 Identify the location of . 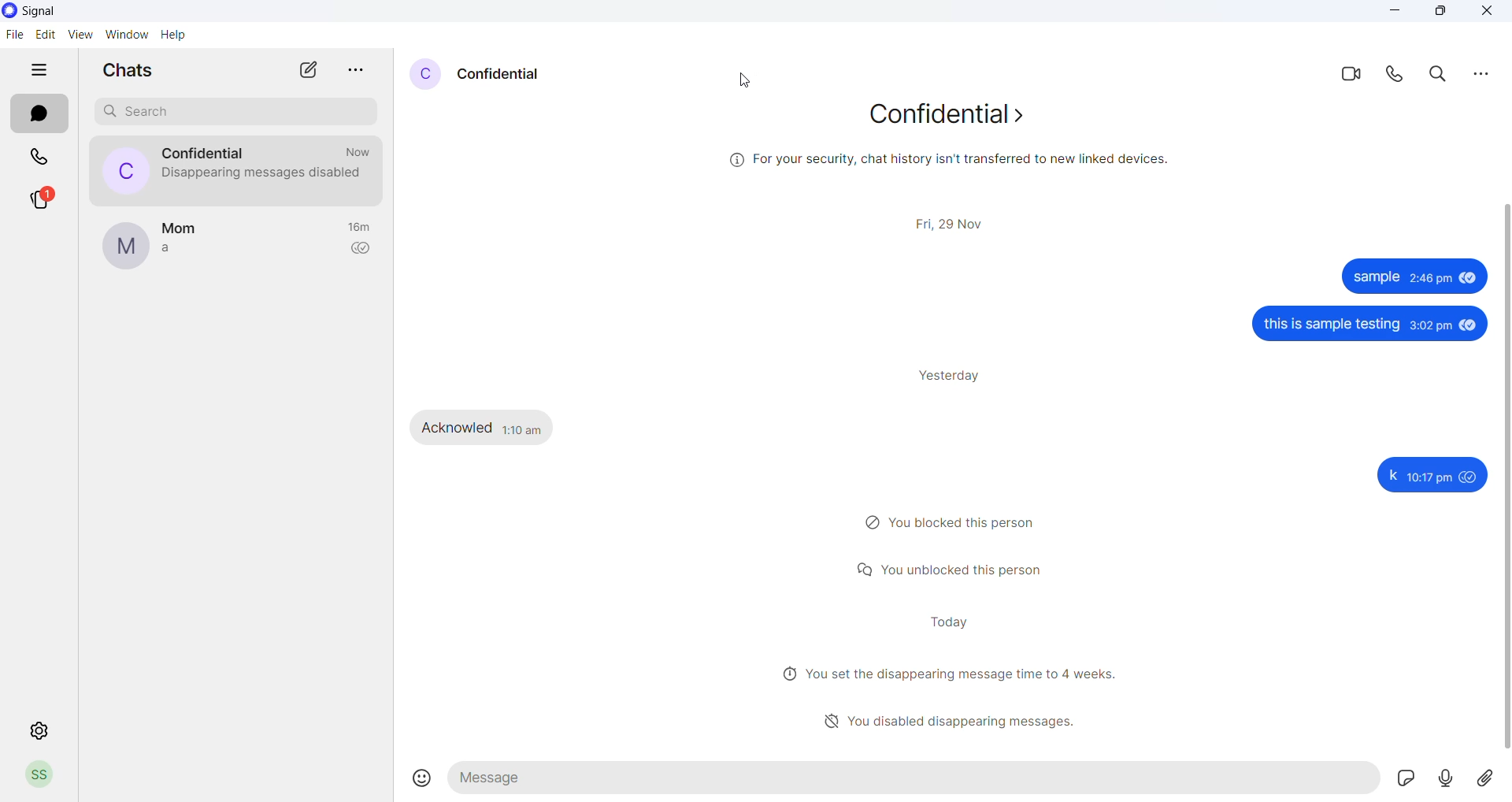
(940, 520).